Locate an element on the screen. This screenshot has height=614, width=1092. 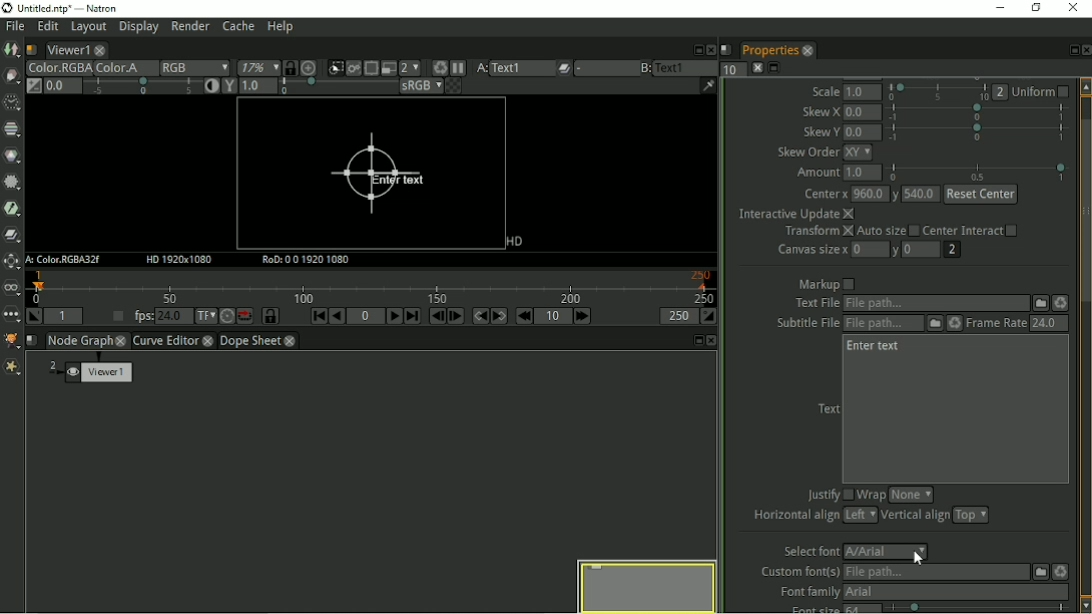
close is located at coordinates (209, 342).